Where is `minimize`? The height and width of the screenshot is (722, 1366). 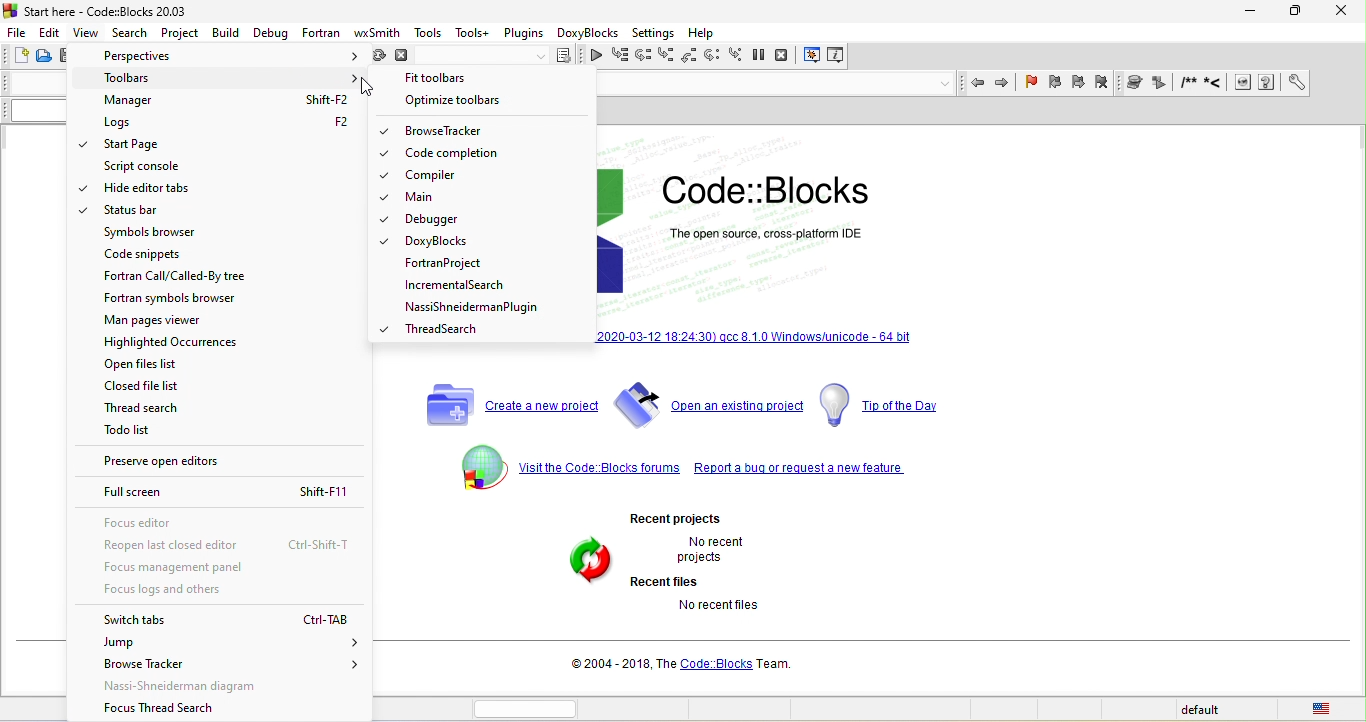
minimize is located at coordinates (1246, 11).